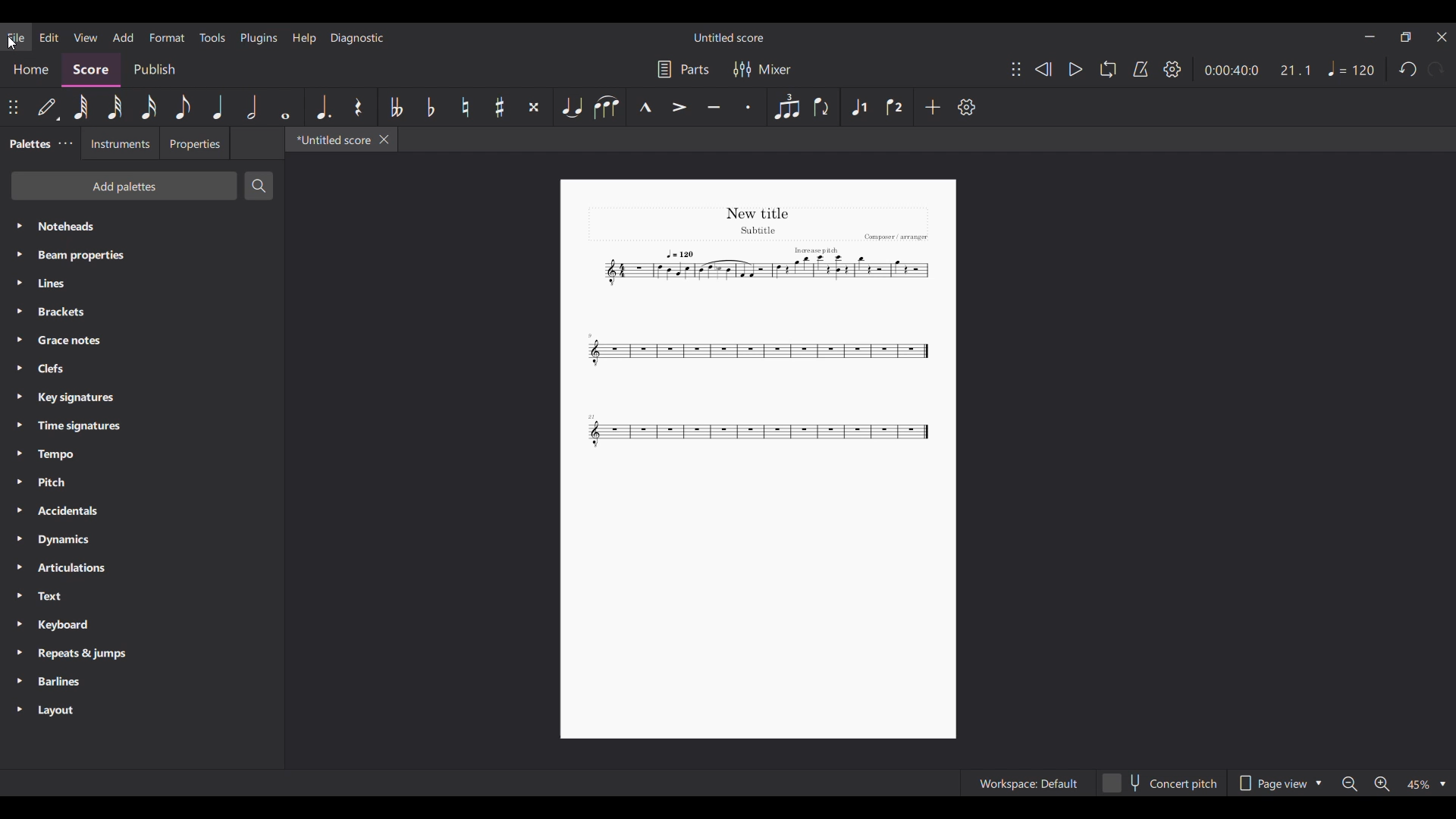 This screenshot has height=819, width=1456. What do you see at coordinates (49, 108) in the screenshot?
I see `Default` at bounding box center [49, 108].